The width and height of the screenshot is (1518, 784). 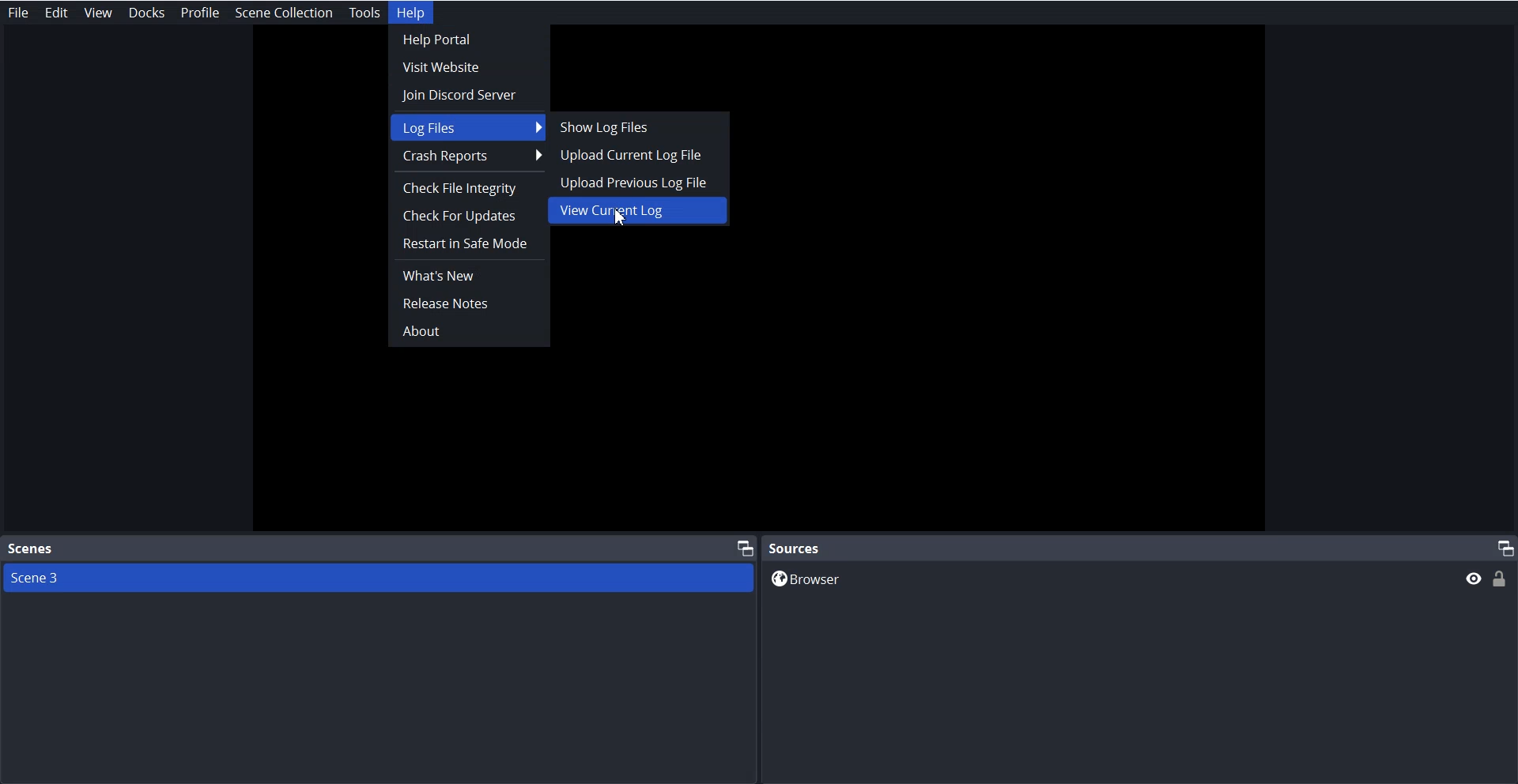 I want to click on Edit, so click(x=56, y=10).